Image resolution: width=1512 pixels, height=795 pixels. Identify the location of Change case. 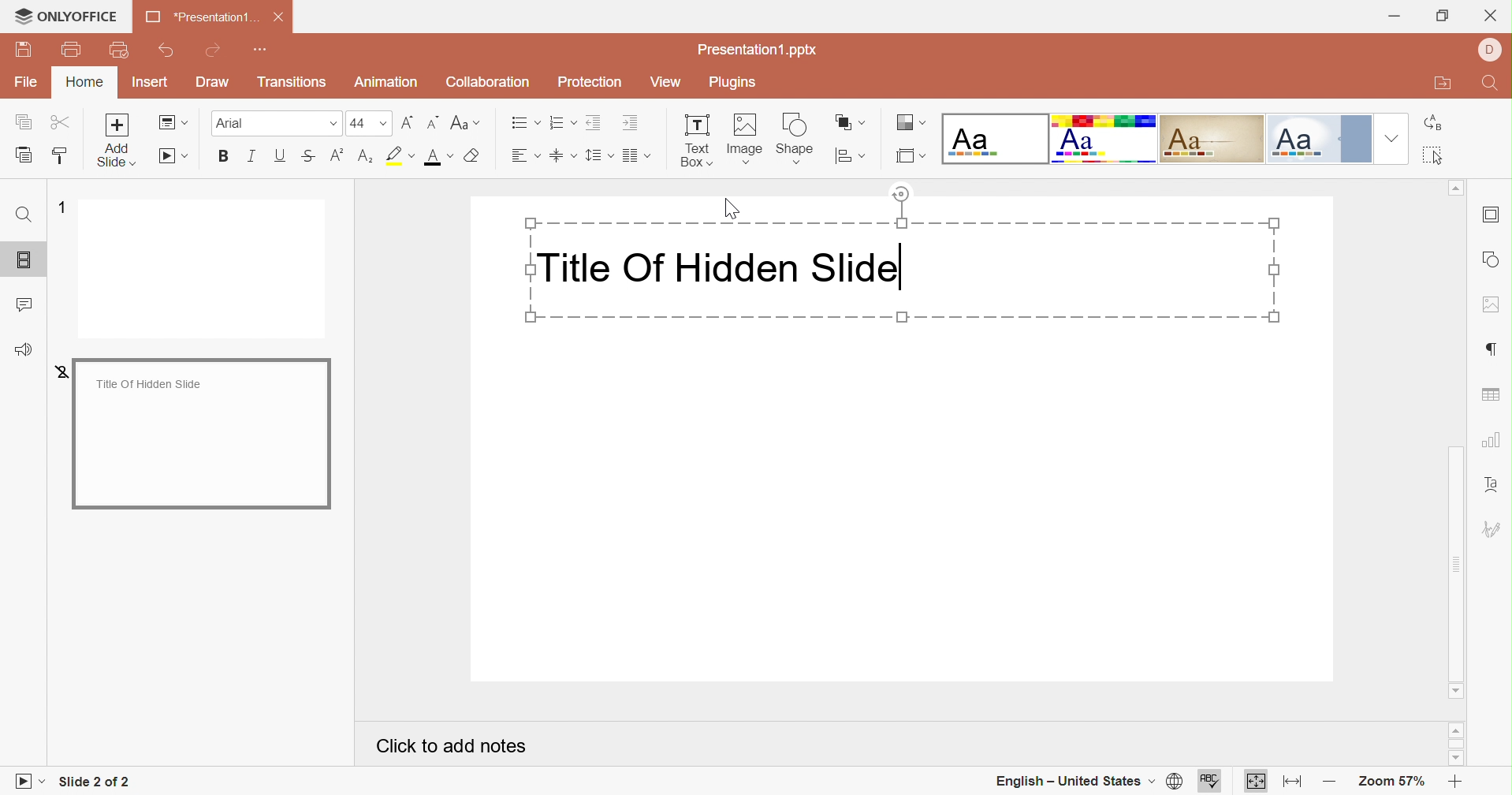
(466, 122).